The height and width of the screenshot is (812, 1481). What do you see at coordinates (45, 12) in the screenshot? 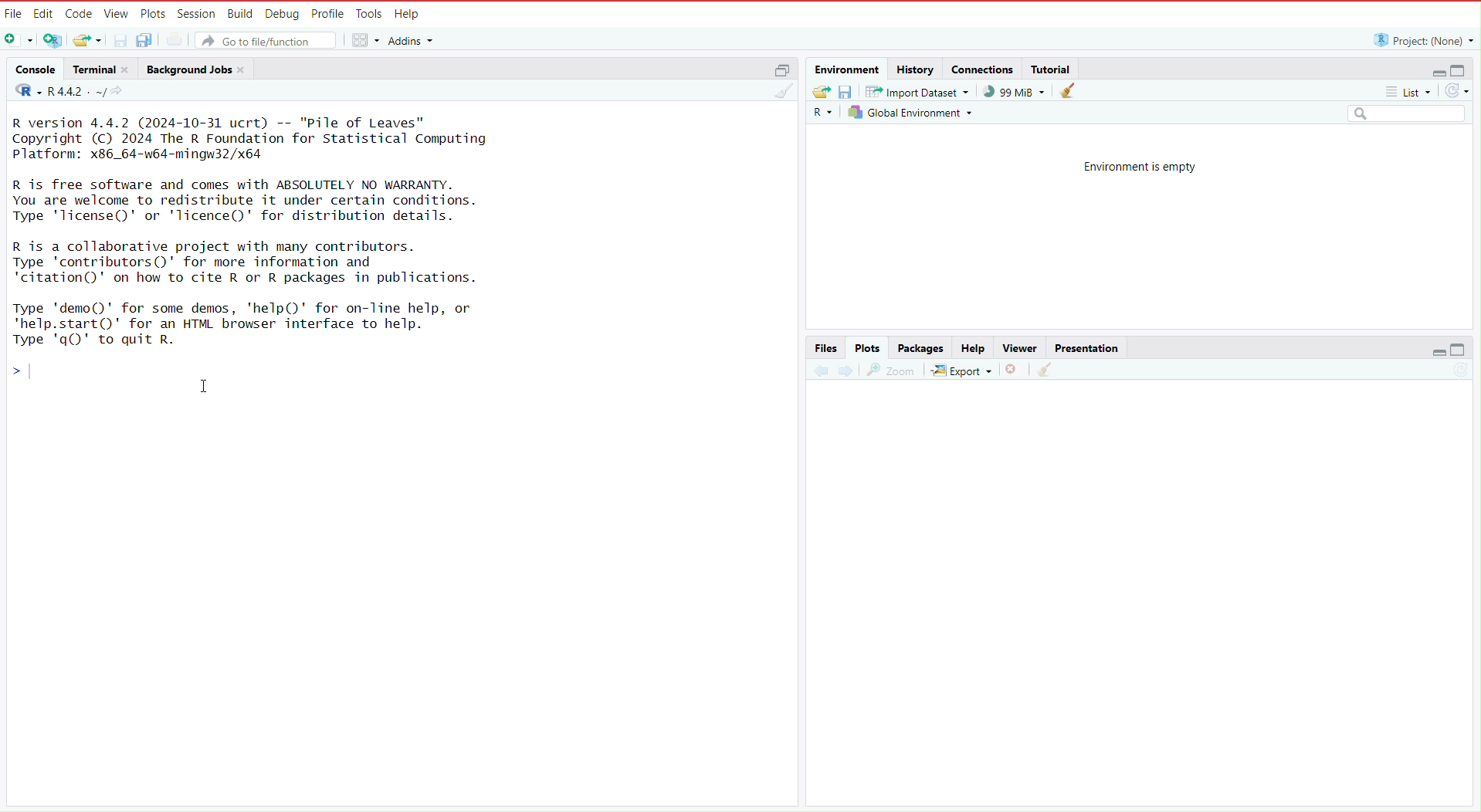
I see `edit` at bounding box center [45, 12].